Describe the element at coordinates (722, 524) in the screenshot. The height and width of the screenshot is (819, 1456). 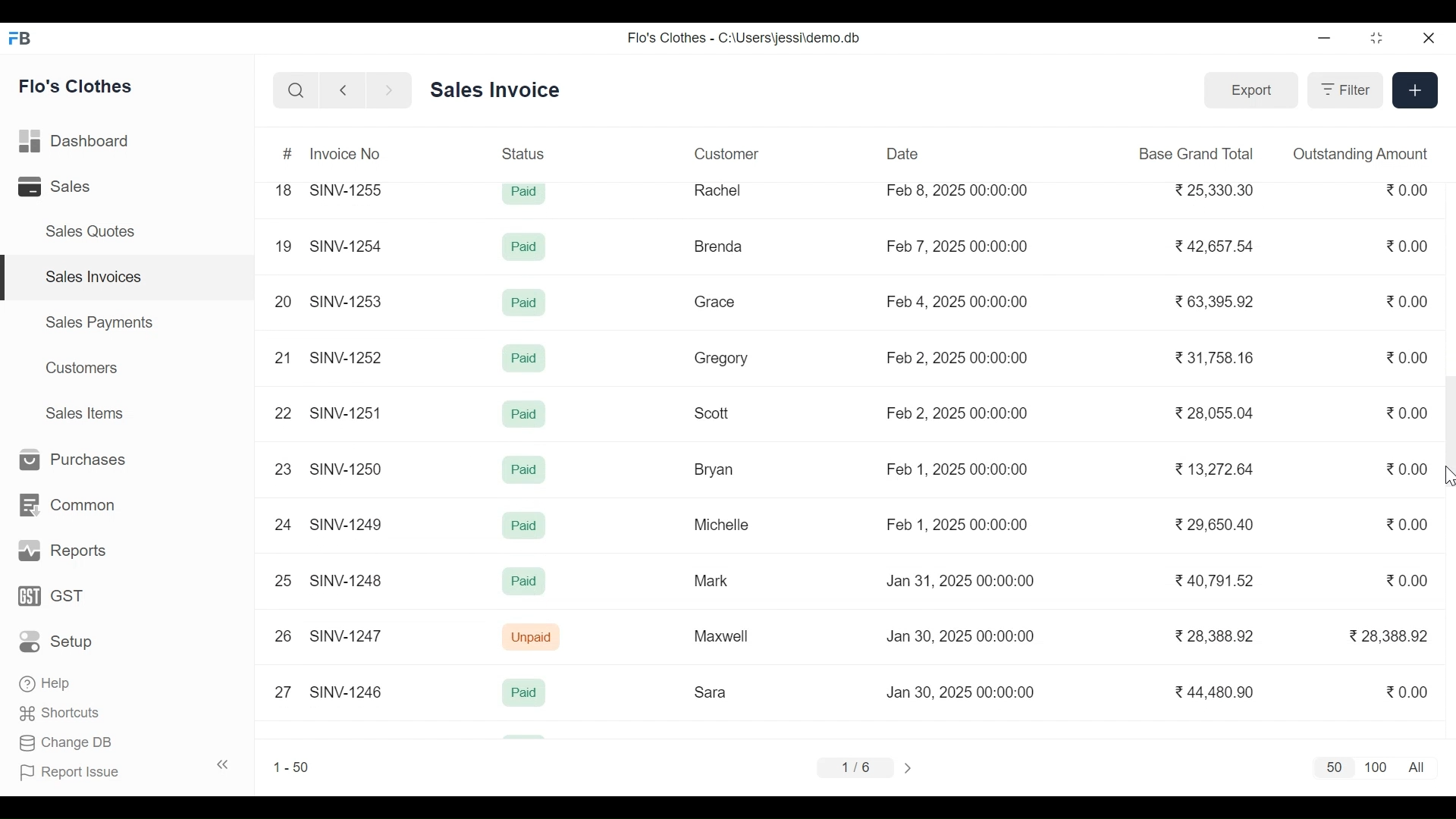
I see `Michelle` at that location.